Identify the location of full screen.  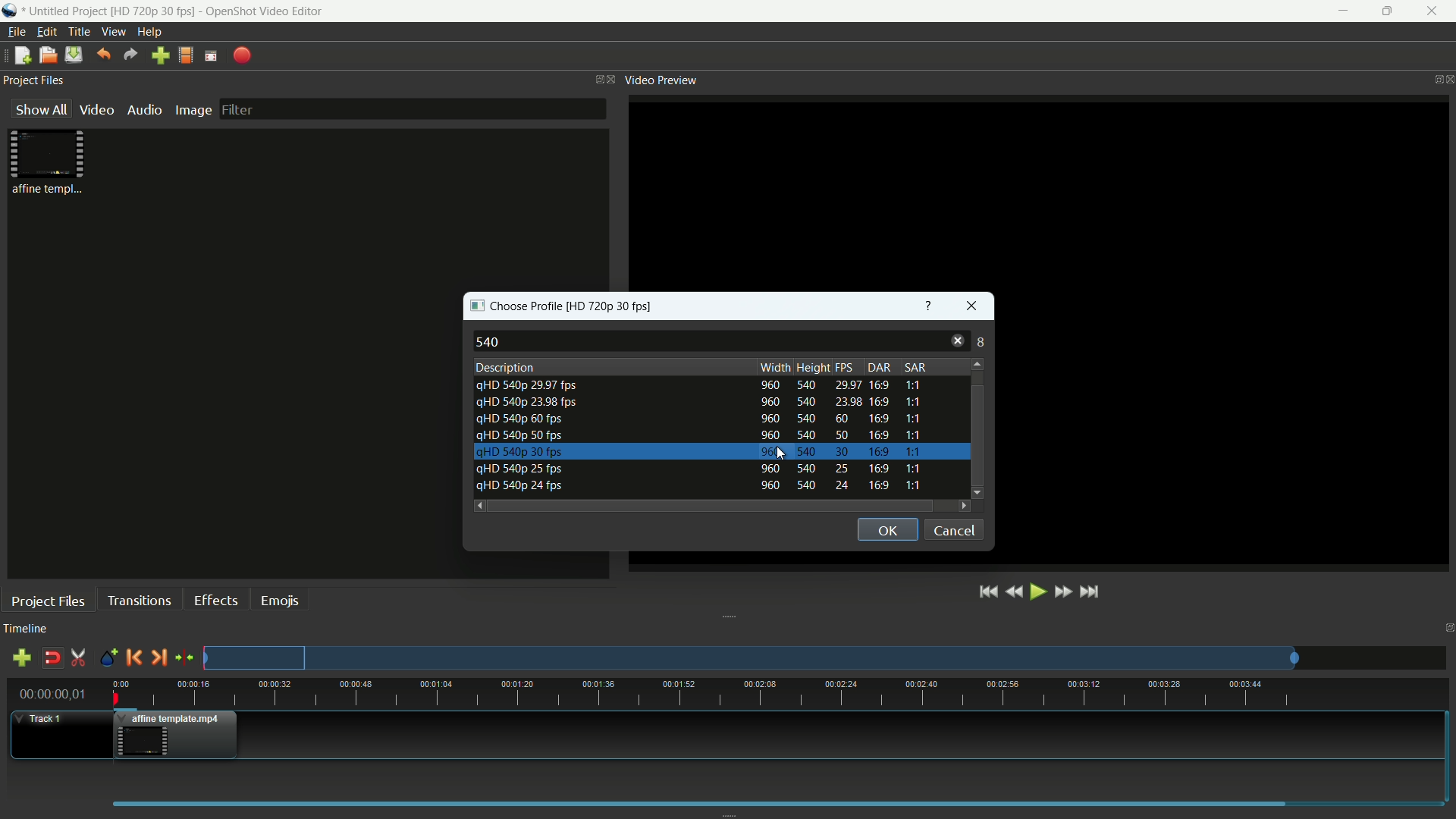
(212, 57).